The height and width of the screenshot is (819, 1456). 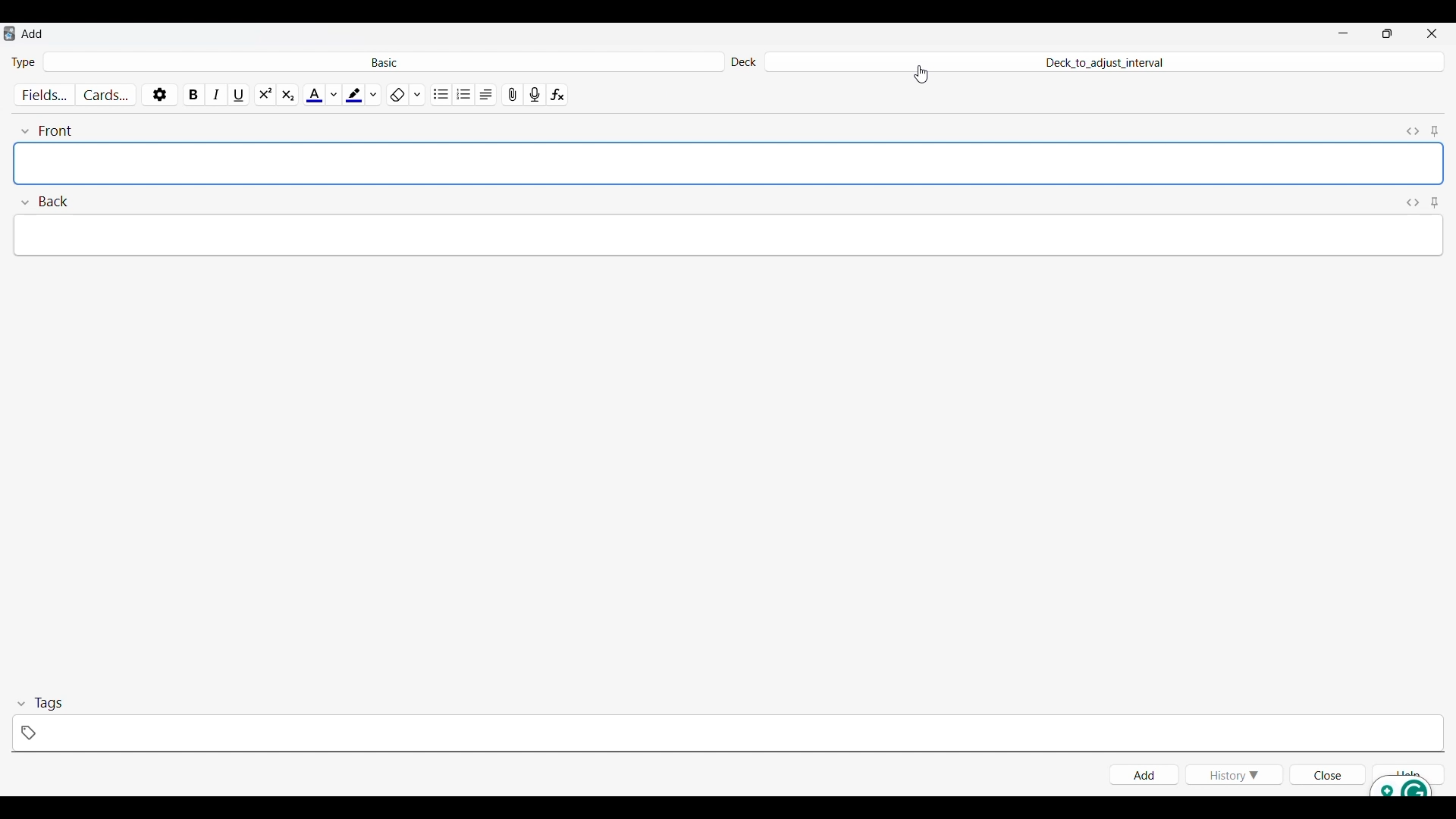 I want to click on Click to select deck, so click(x=1103, y=63).